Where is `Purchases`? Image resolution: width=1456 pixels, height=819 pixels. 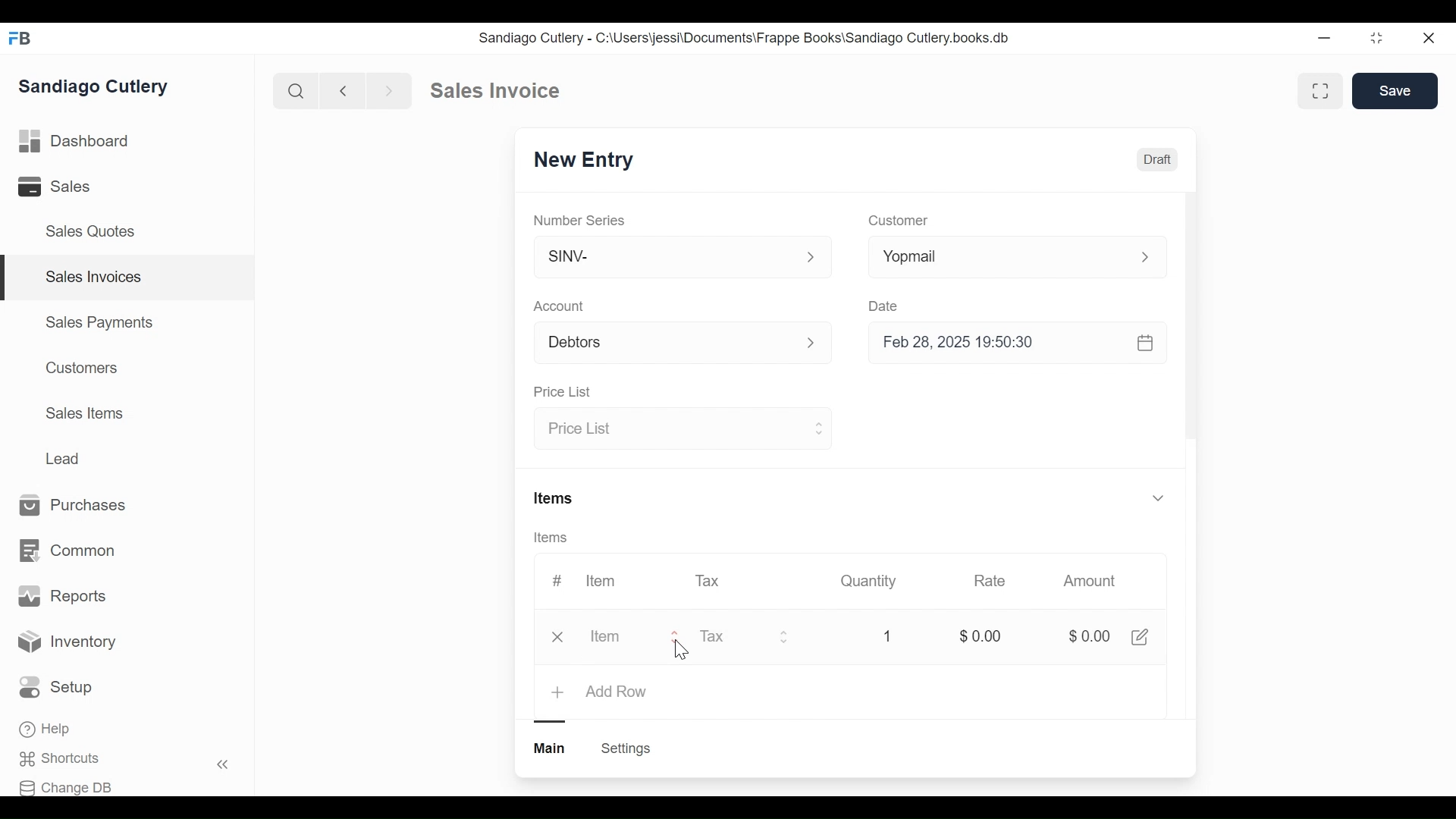 Purchases is located at coordinates (80, 506).